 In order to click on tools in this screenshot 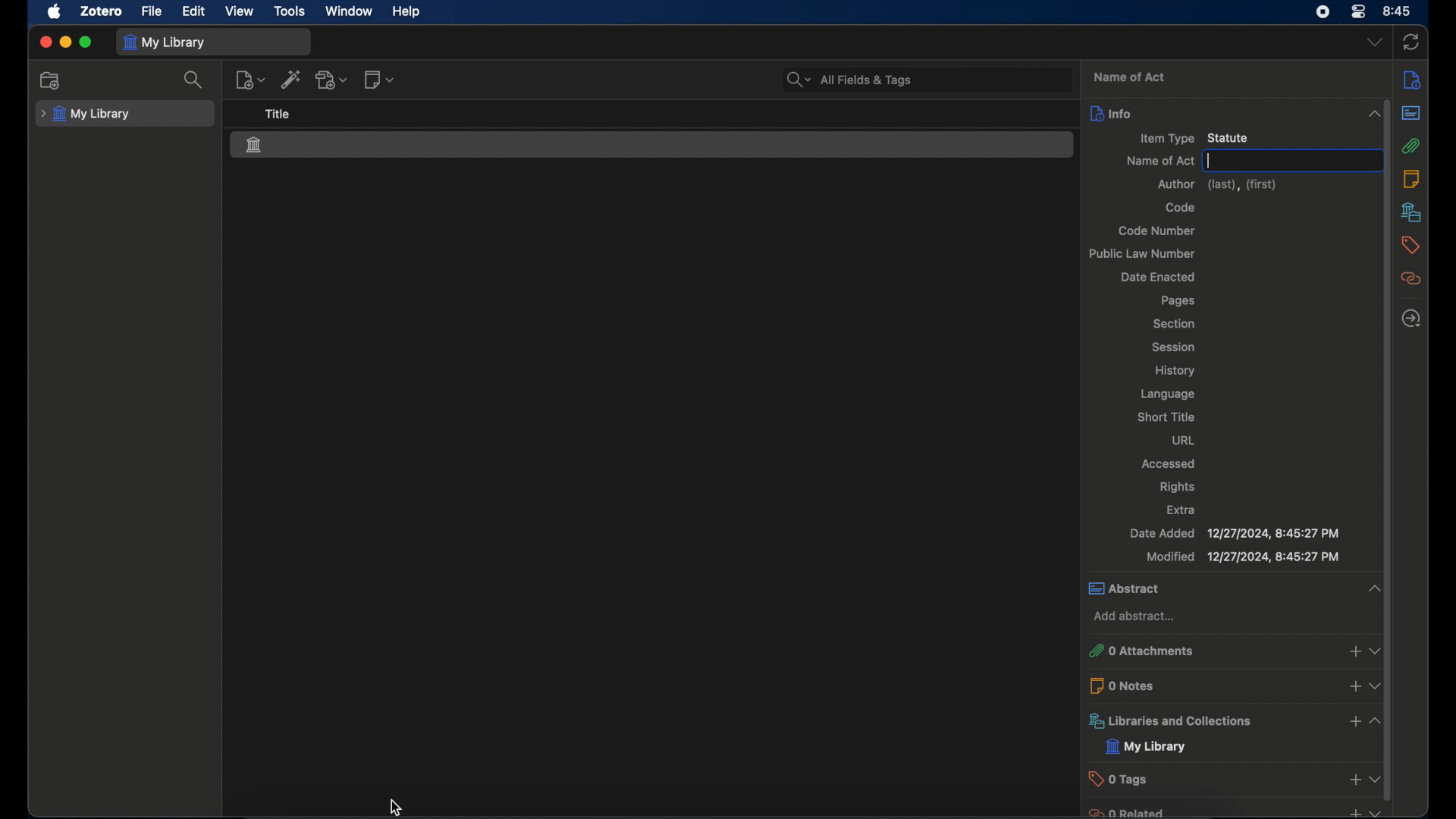, I will do `click(290, 11)`.